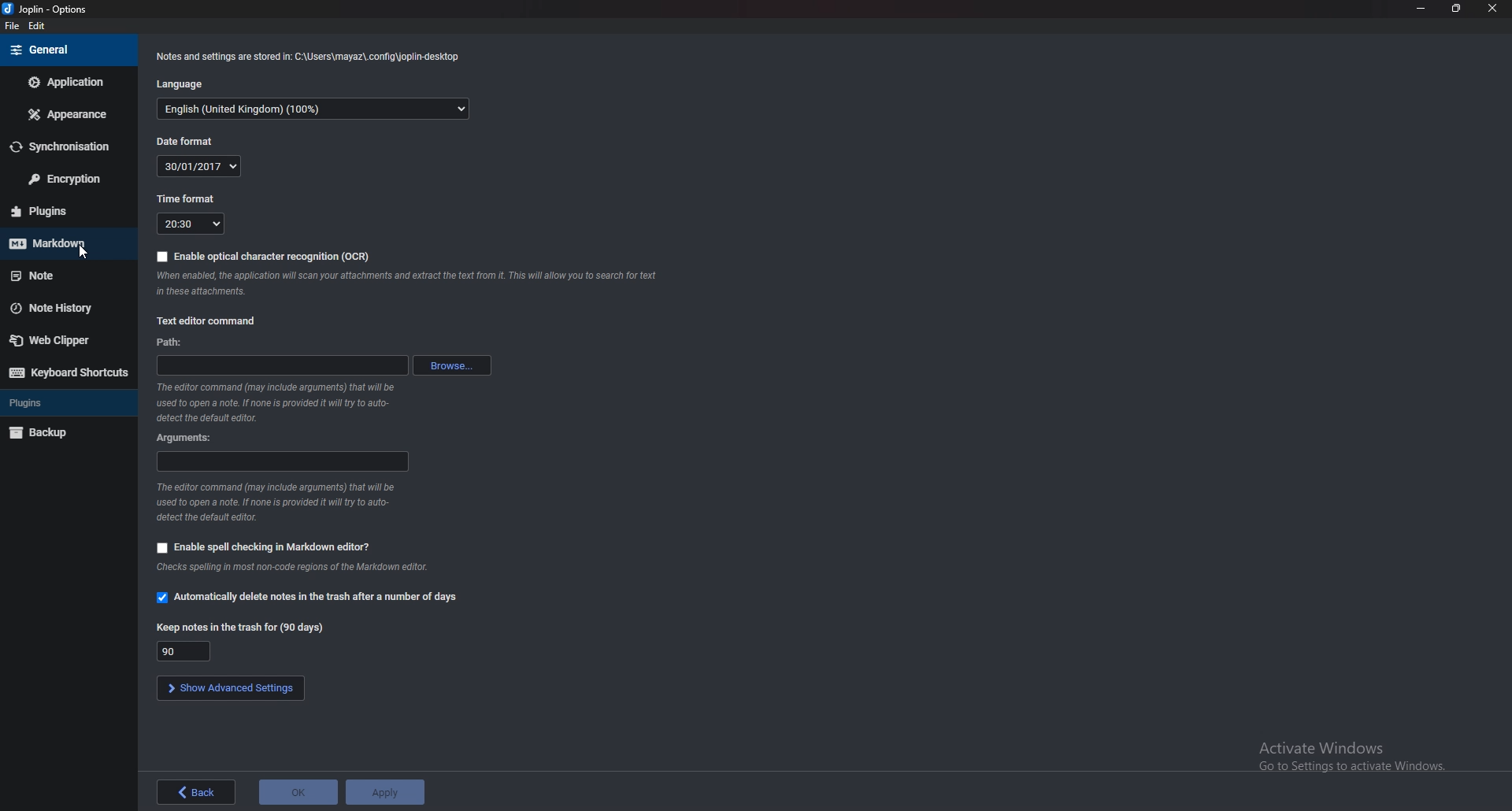  Describe the element at coordinates (187, 142) in the screenshot. I see `date format` at that location.